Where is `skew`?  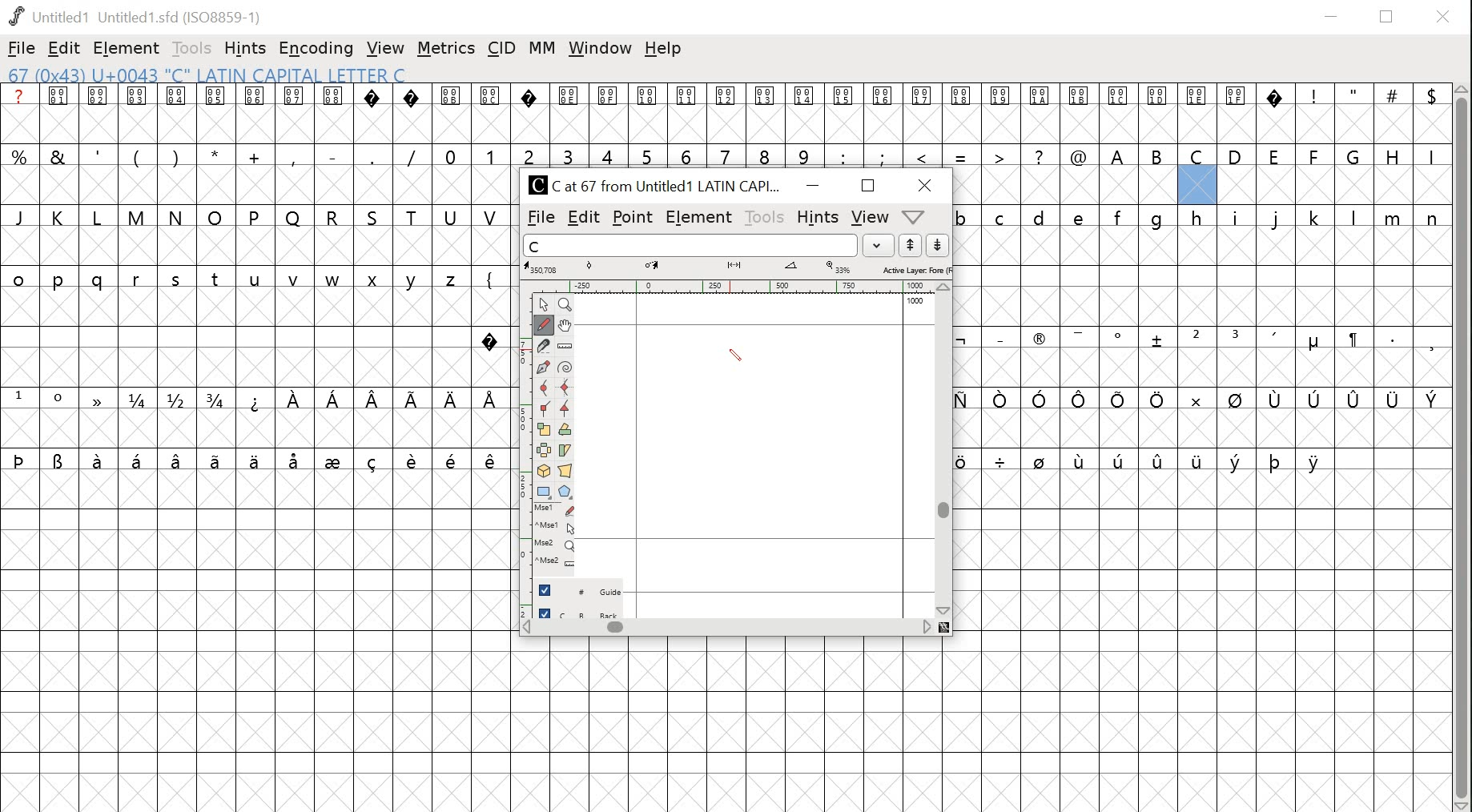 skew is located at coordinates (568, 450).